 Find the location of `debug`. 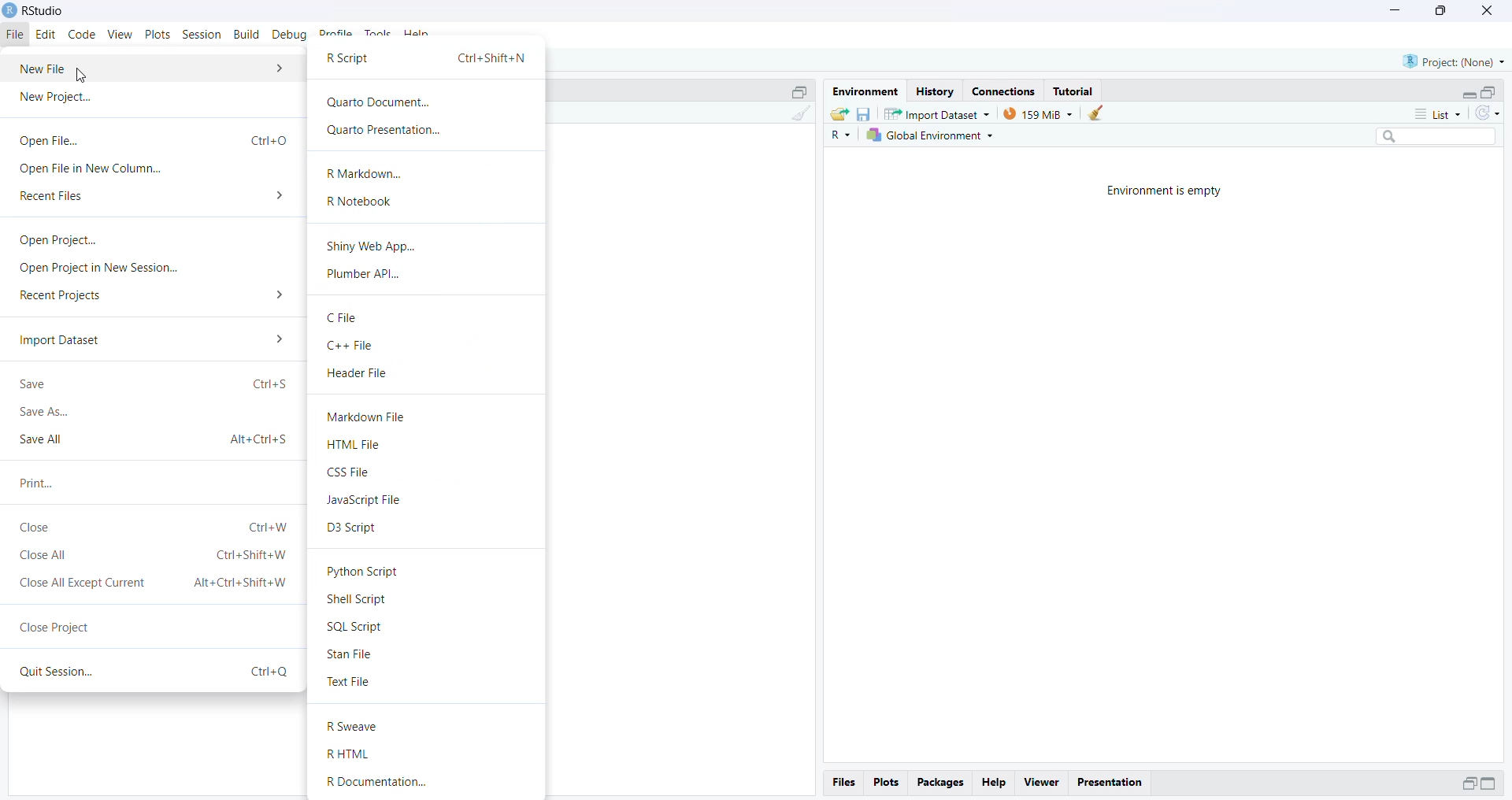

debug is located at coordinates (291, 35).